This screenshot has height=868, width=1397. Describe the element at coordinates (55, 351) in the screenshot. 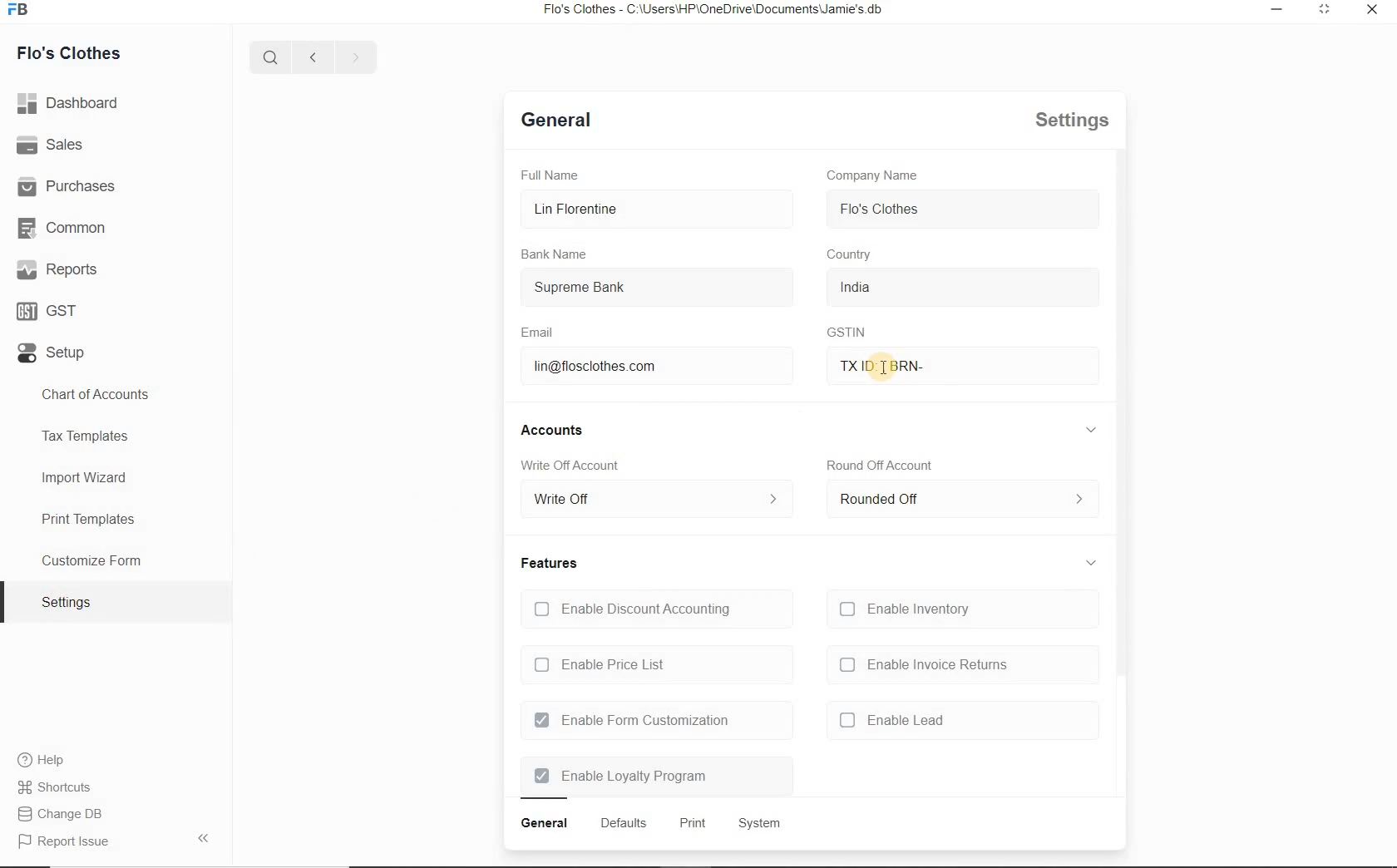

I see `Setup` at that location.